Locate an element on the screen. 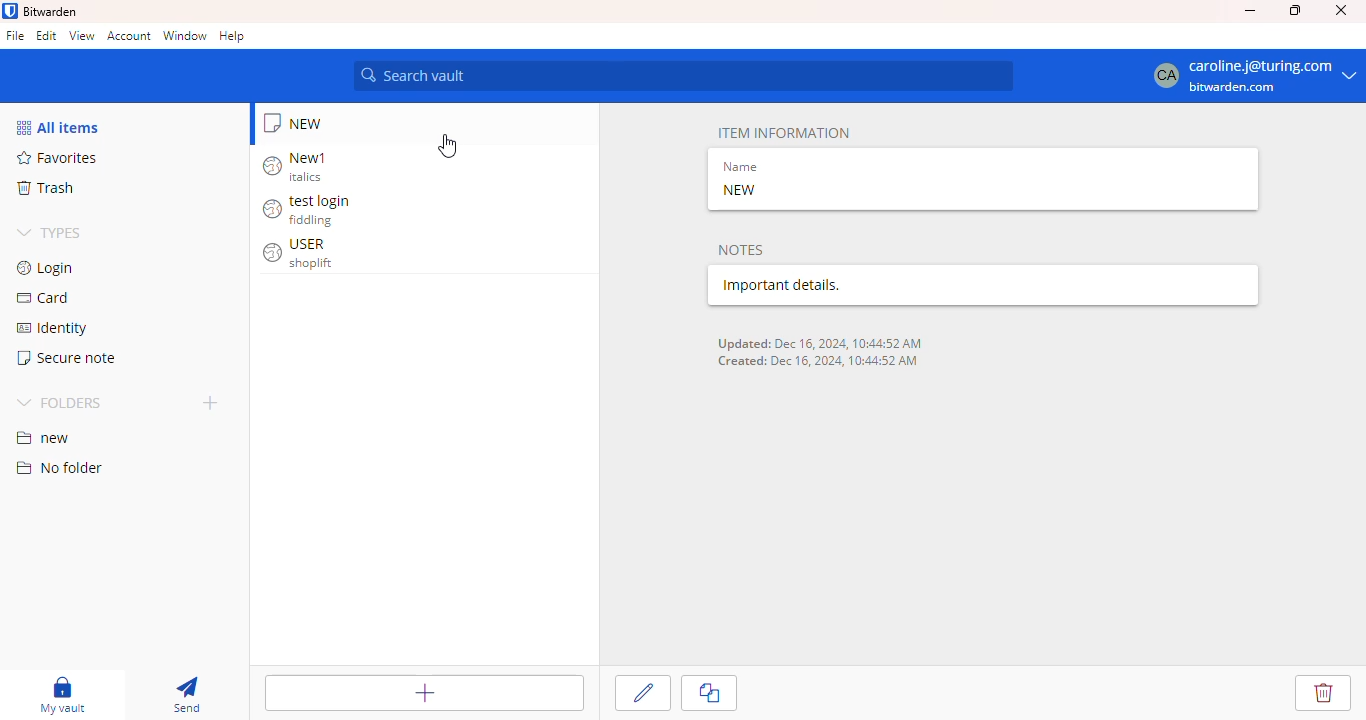  "New1" login entry is located at coordinates (304, 166).